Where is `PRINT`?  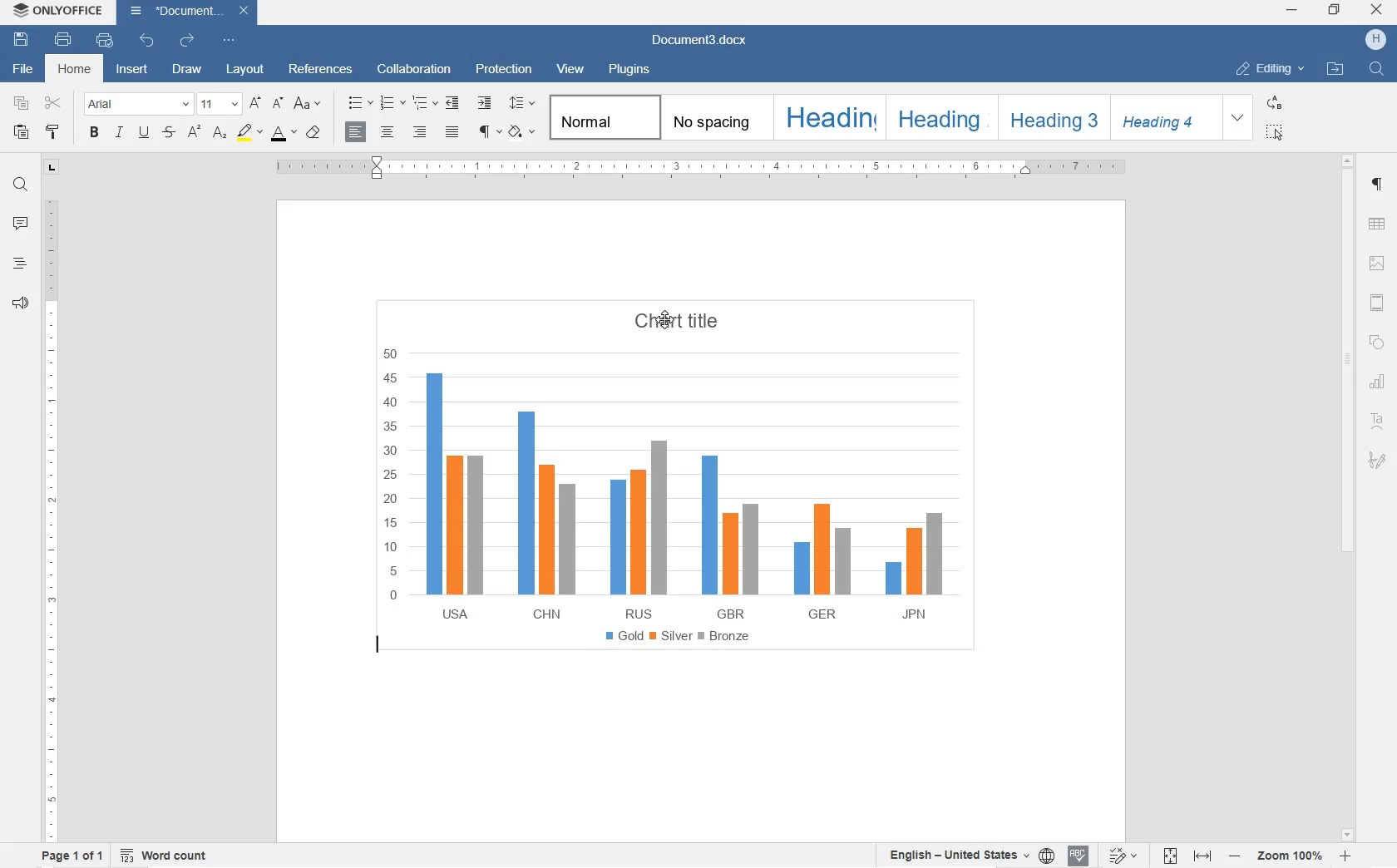 PRINT is located at coordinates (65, 42).